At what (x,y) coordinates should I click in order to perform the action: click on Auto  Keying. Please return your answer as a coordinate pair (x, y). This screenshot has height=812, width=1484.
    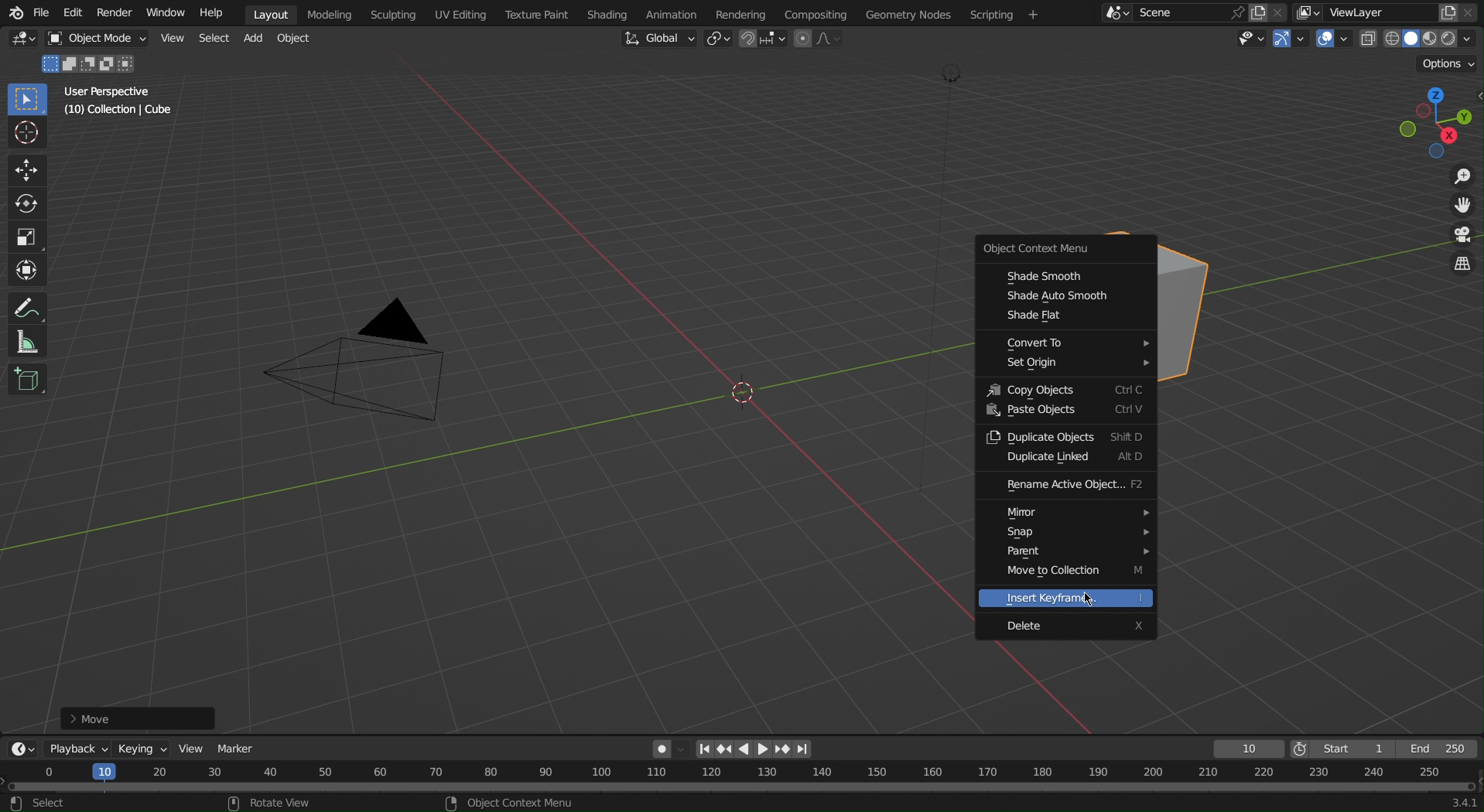
    Looking at the image, I should click on (666, 746).